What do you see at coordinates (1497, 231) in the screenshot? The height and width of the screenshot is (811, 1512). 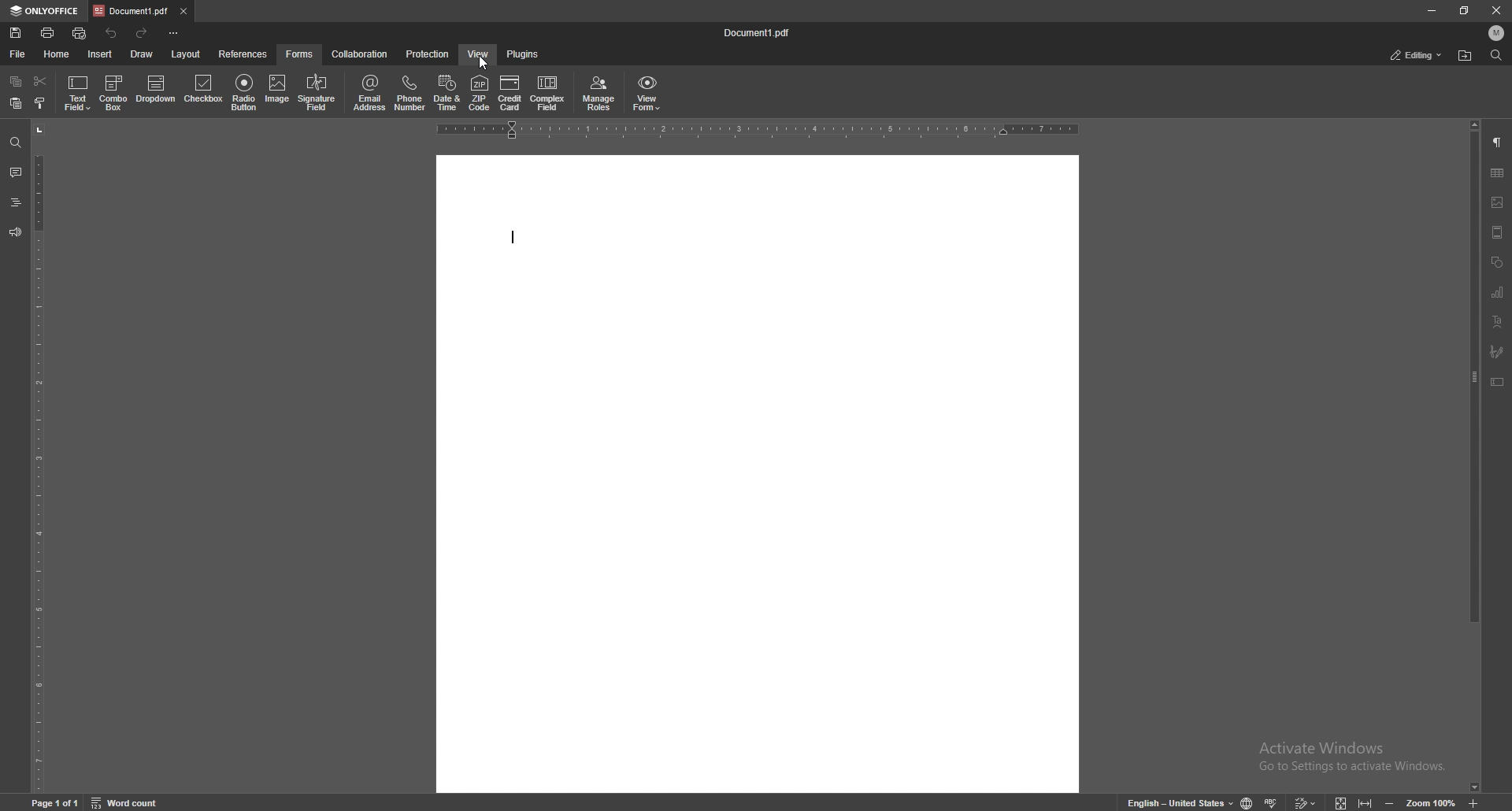 I see `header and footer` at bounding box center [1497, 231].